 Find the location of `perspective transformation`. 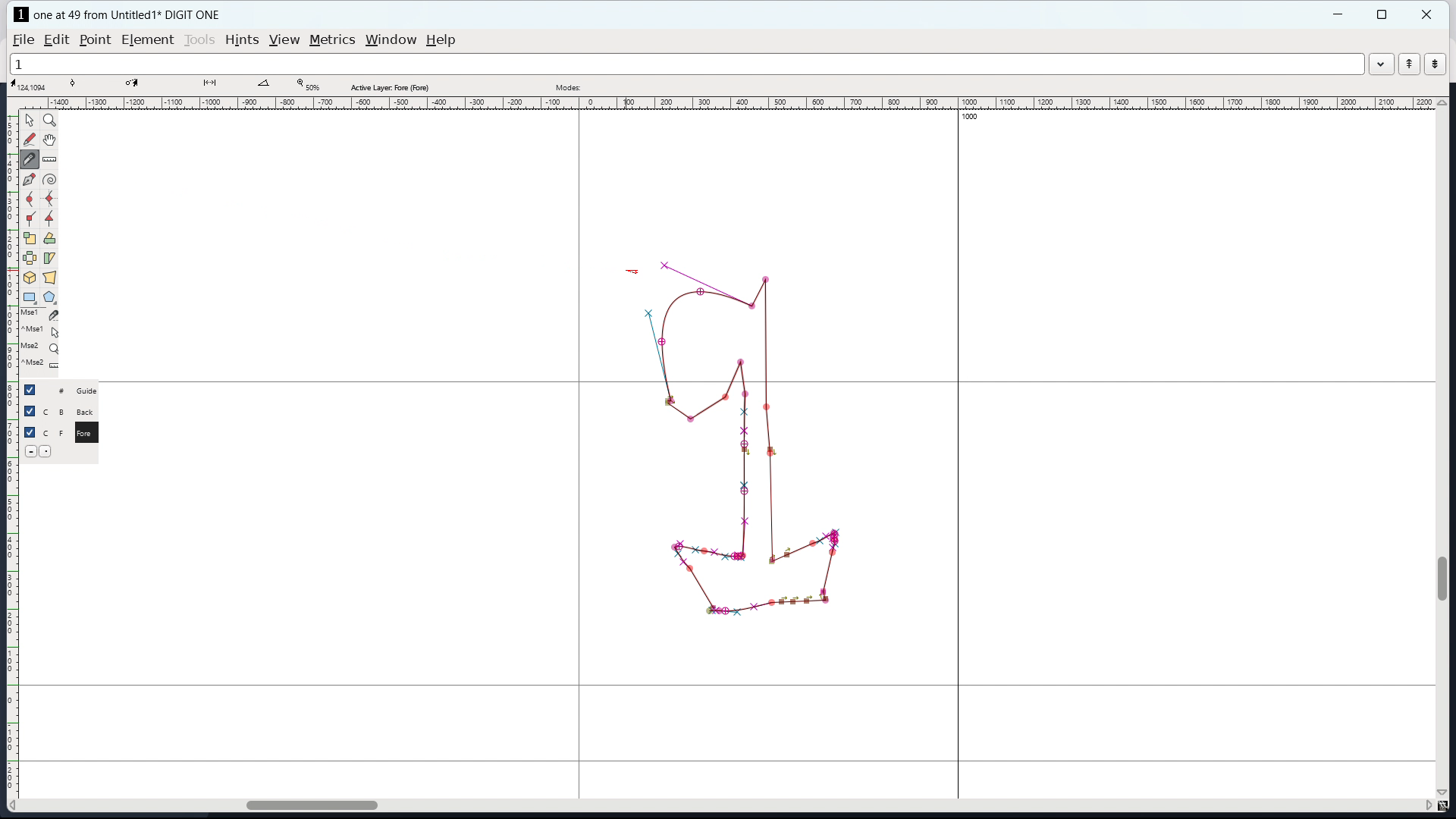

perspective transformation is located at coordinates (50, 278).